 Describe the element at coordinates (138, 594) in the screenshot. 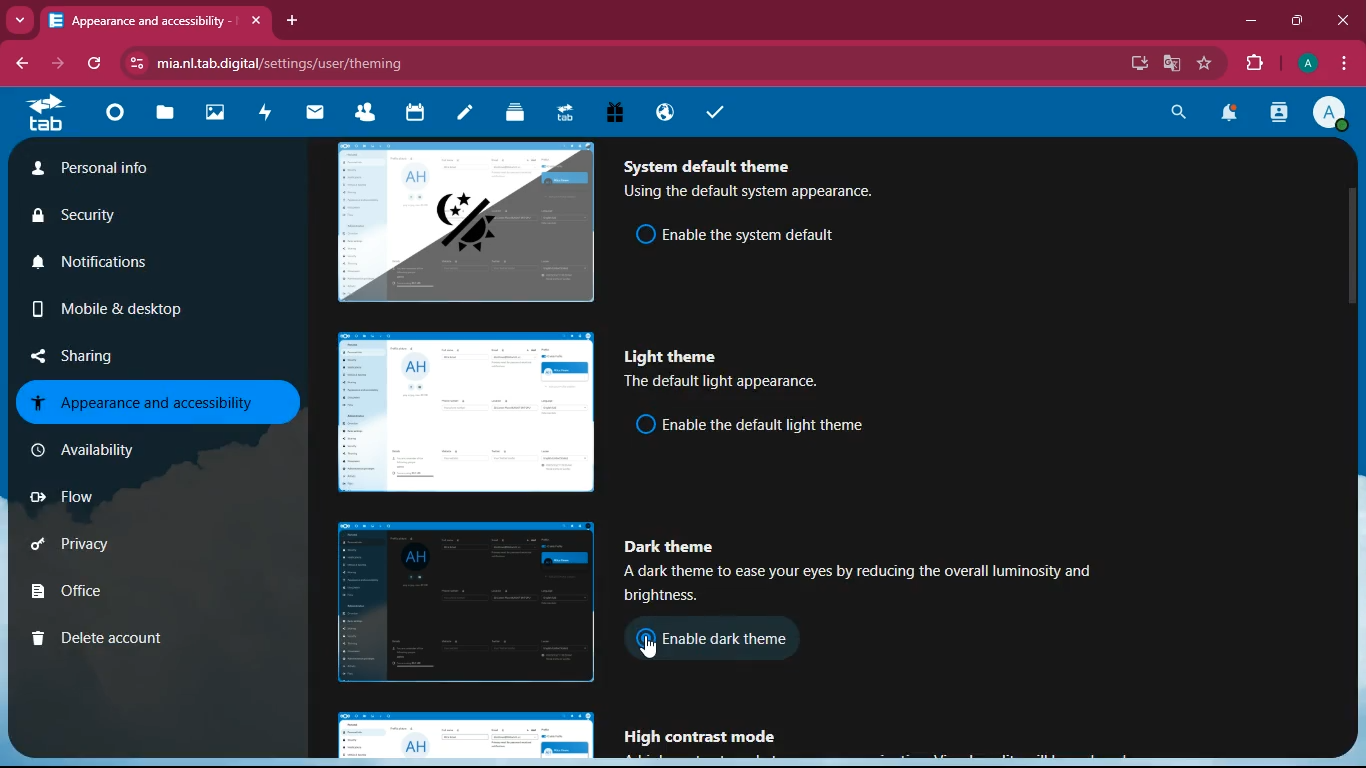

I see `office` at that location.